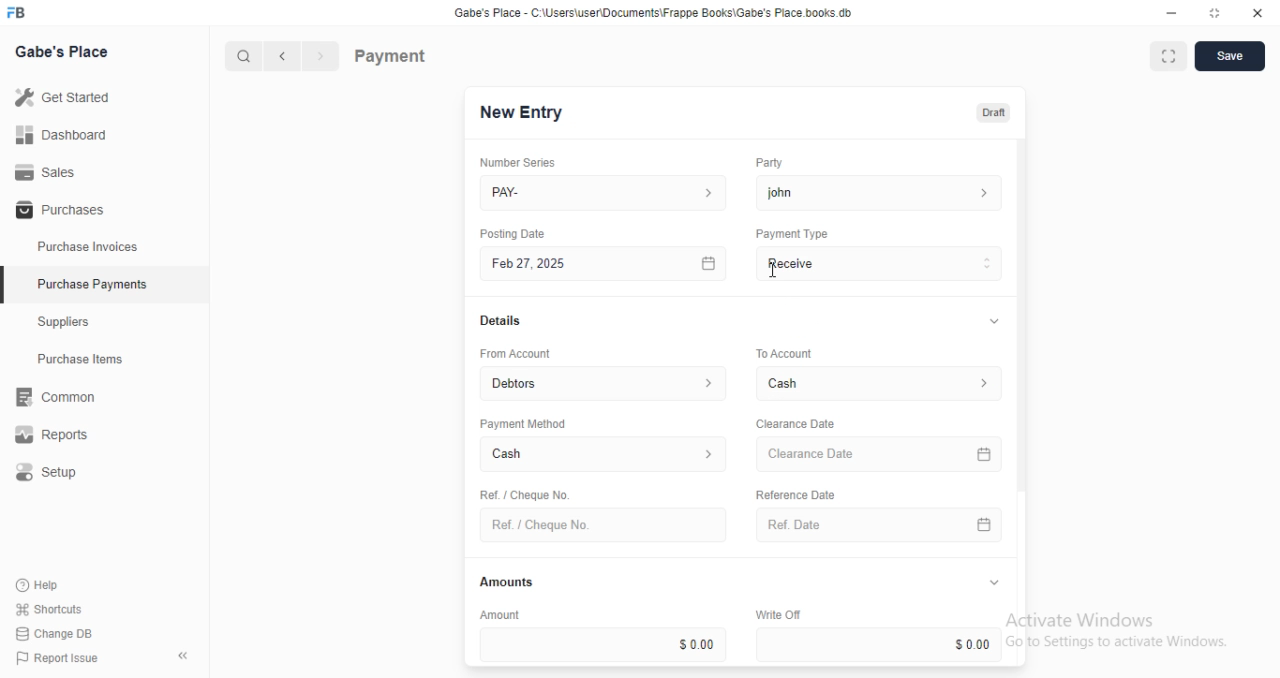 The width and height of the screenshot is (1280, 678). I want to click on From Account, so click(605, 382).